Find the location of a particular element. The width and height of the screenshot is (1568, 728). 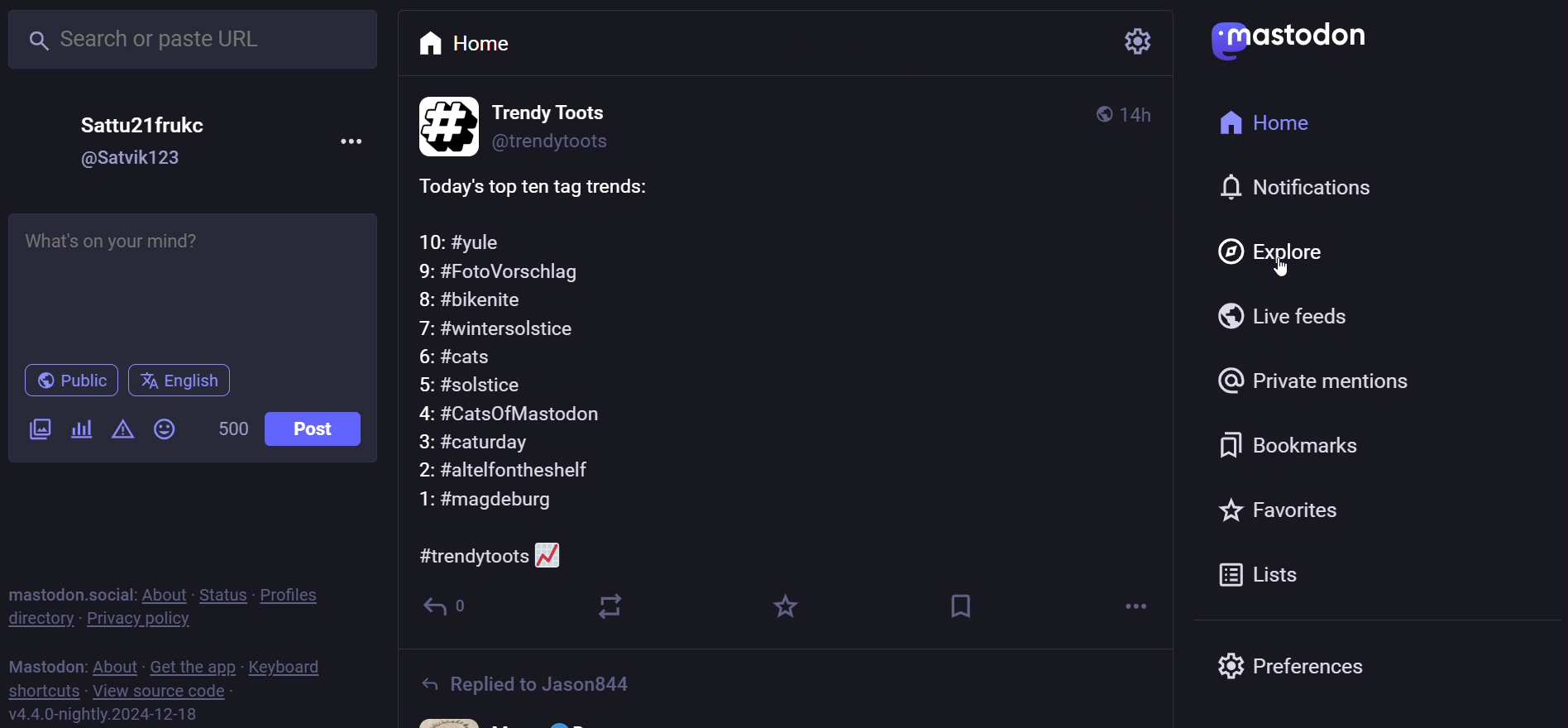

mastodon is located at coordinates (1293, 39).